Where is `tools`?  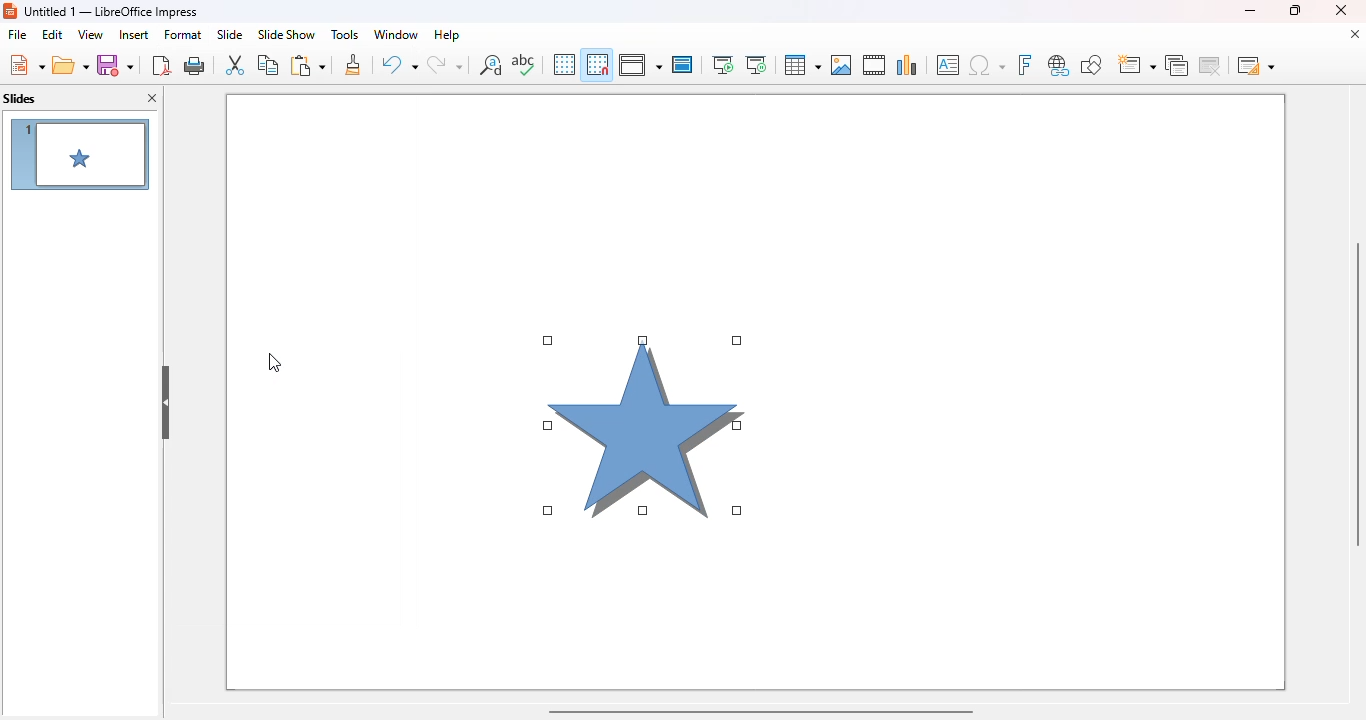 tools is located at coordinates (344, 34).